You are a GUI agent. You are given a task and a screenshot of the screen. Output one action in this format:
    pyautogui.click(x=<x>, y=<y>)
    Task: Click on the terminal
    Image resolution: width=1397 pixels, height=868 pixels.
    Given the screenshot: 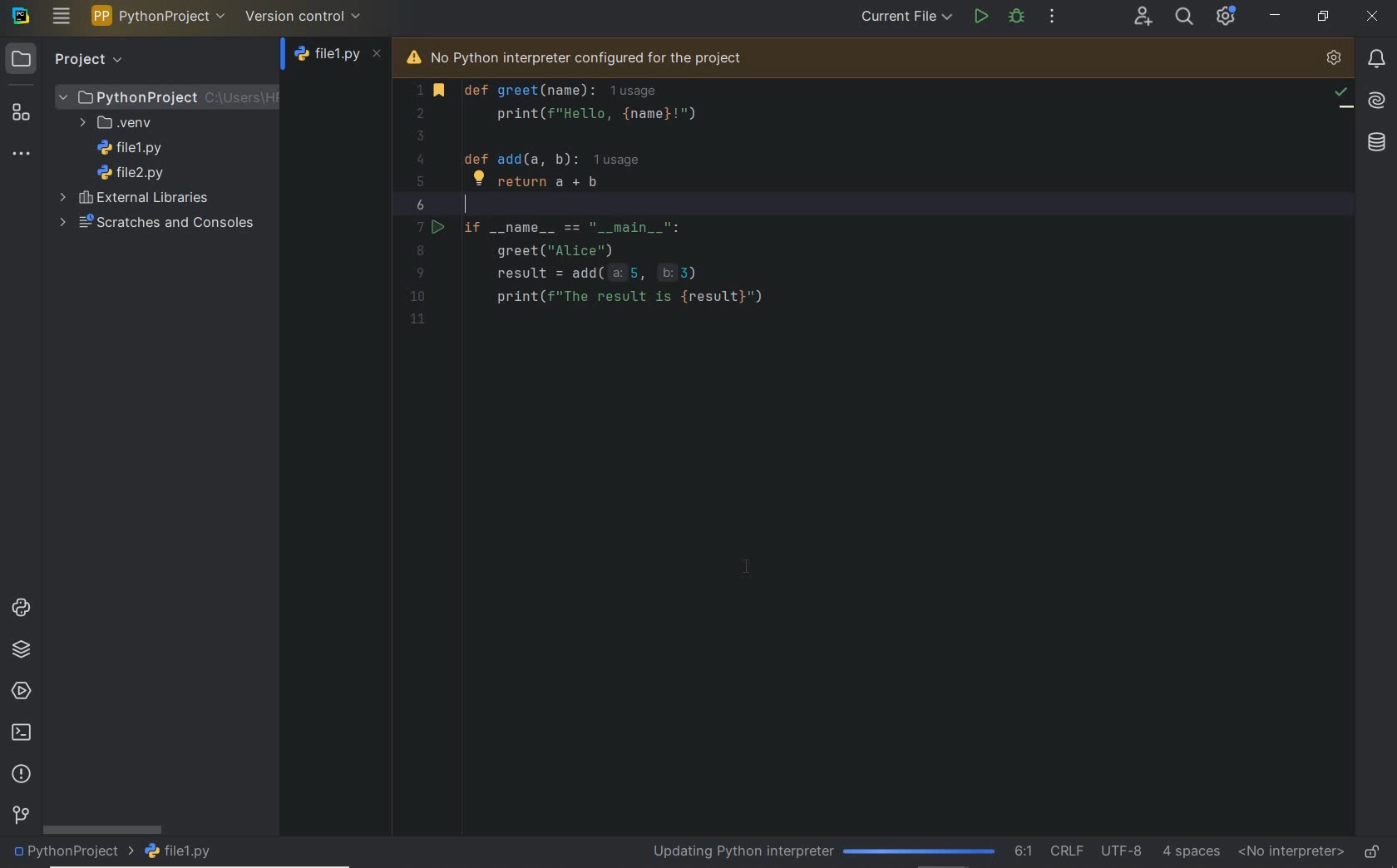 What is the action you would take?
    pyautogui.click(x=22, y=733)
    